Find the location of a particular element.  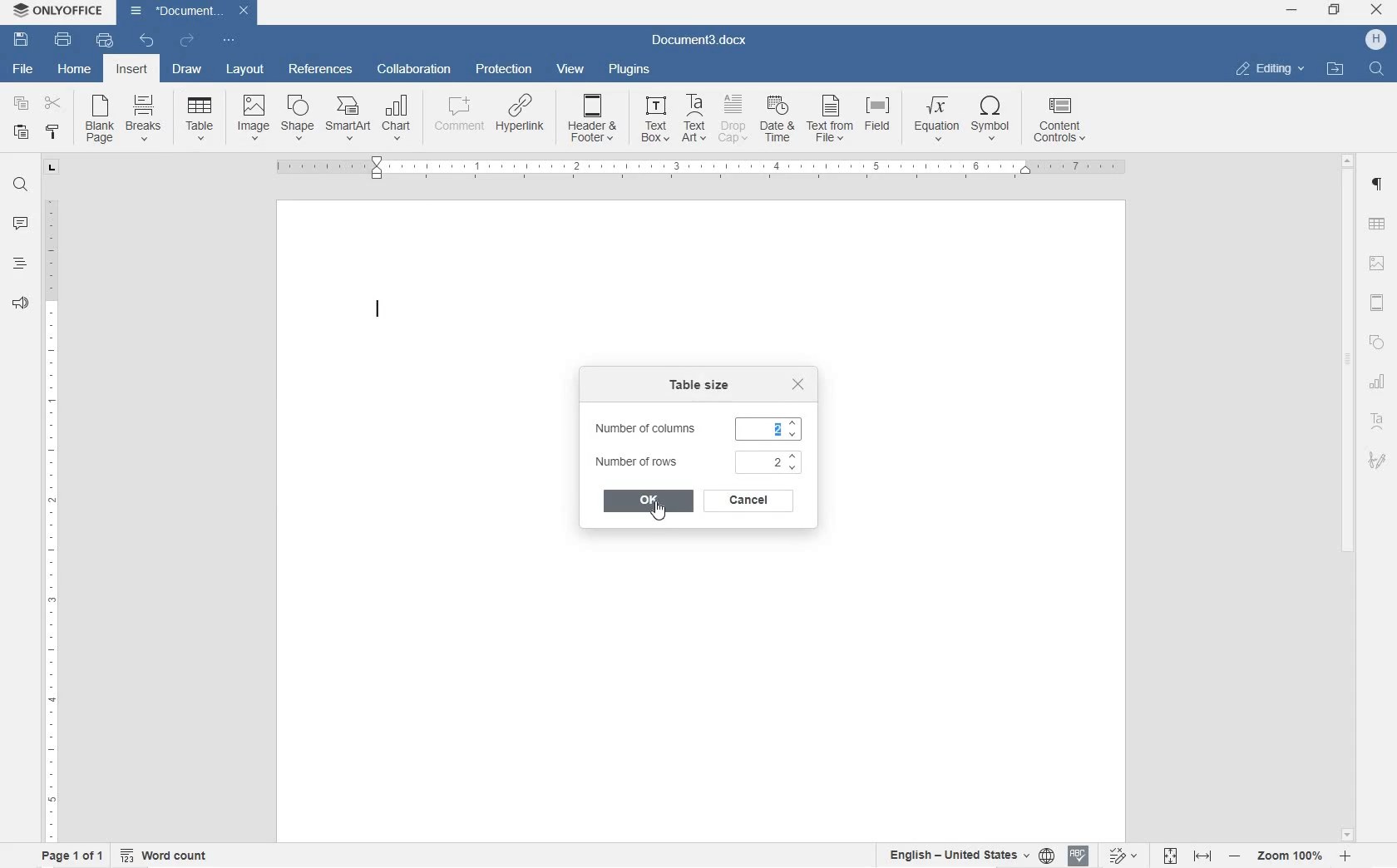

CUSTOMIZE QUICK ACCESS TOOLBAR is located at coordinates (227, 40).